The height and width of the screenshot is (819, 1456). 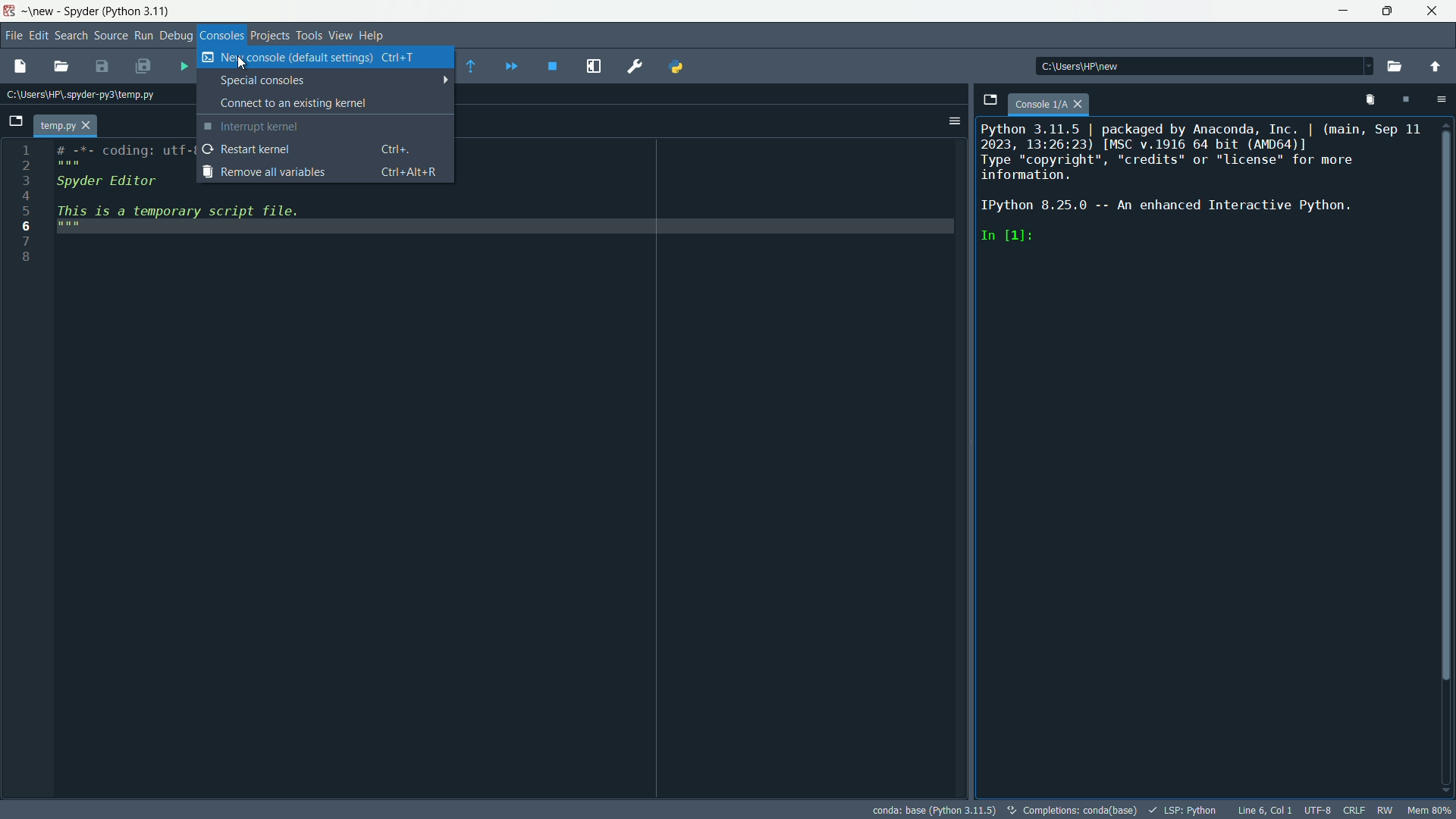 What do you see at coordinates (1447, 404) in the screenshot?
I see `Vertical Scroll Bar` at bounding box center [1447, 404].